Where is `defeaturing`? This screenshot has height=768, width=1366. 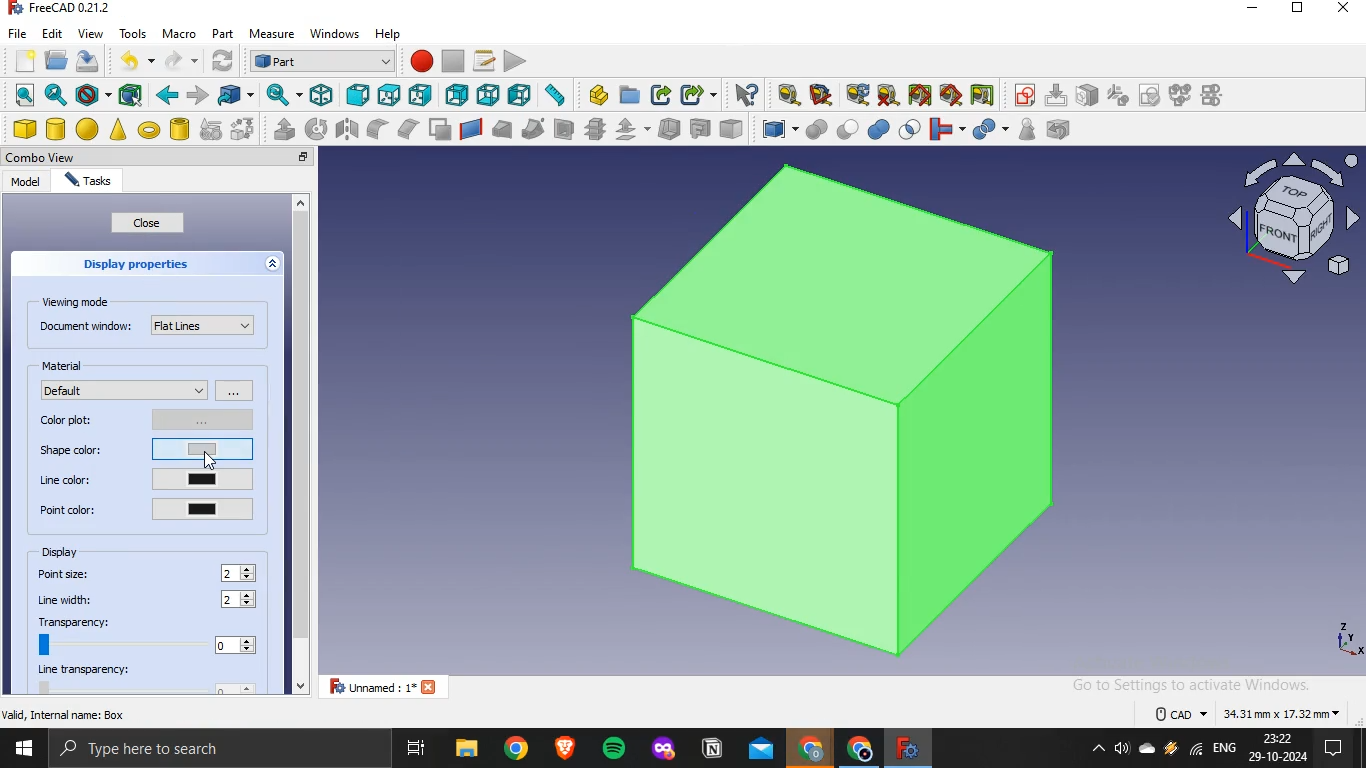
defeaturing is located at coordinates (1063, 129).